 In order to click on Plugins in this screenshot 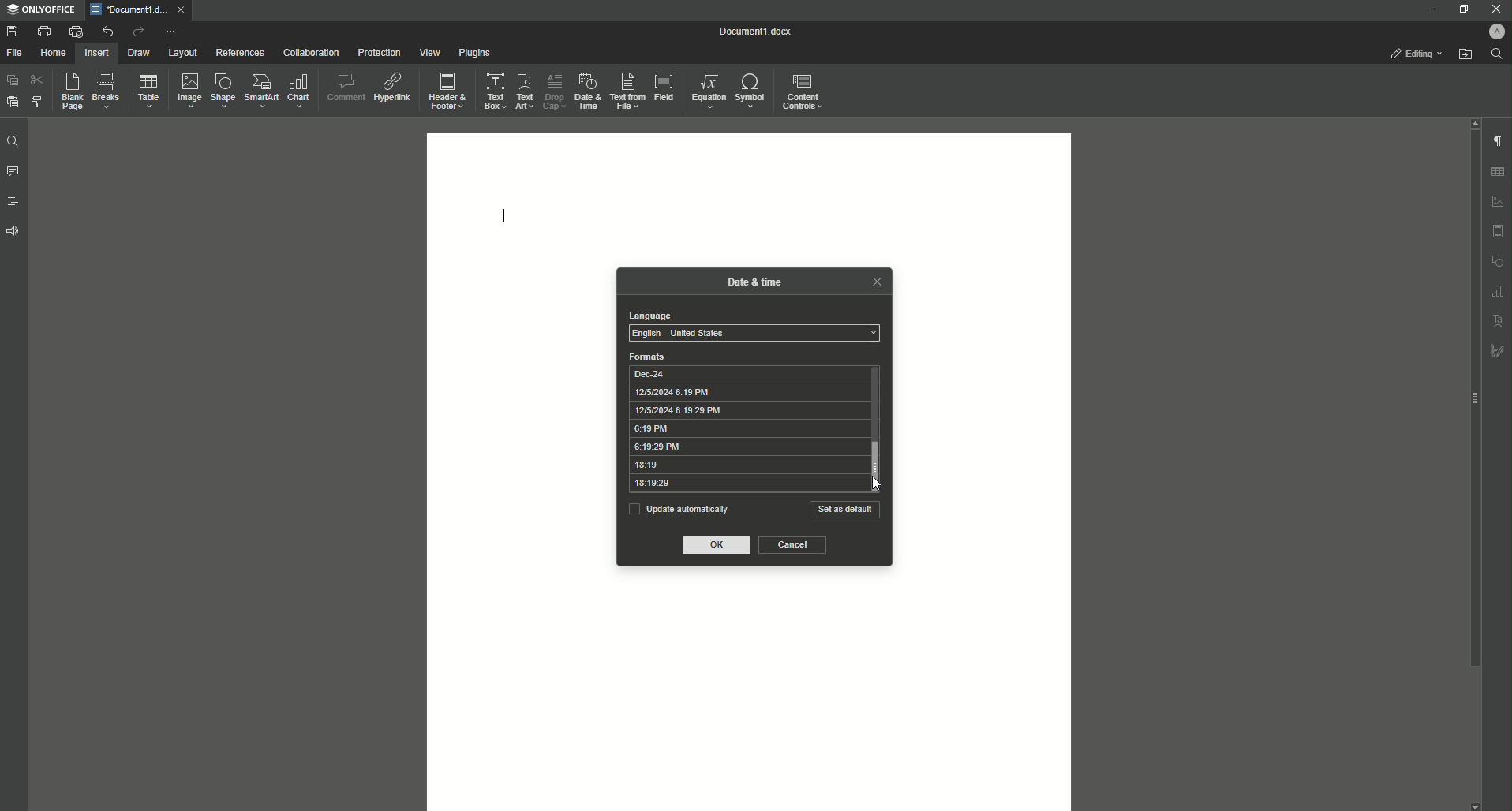, I will do `click(472, 52)`.